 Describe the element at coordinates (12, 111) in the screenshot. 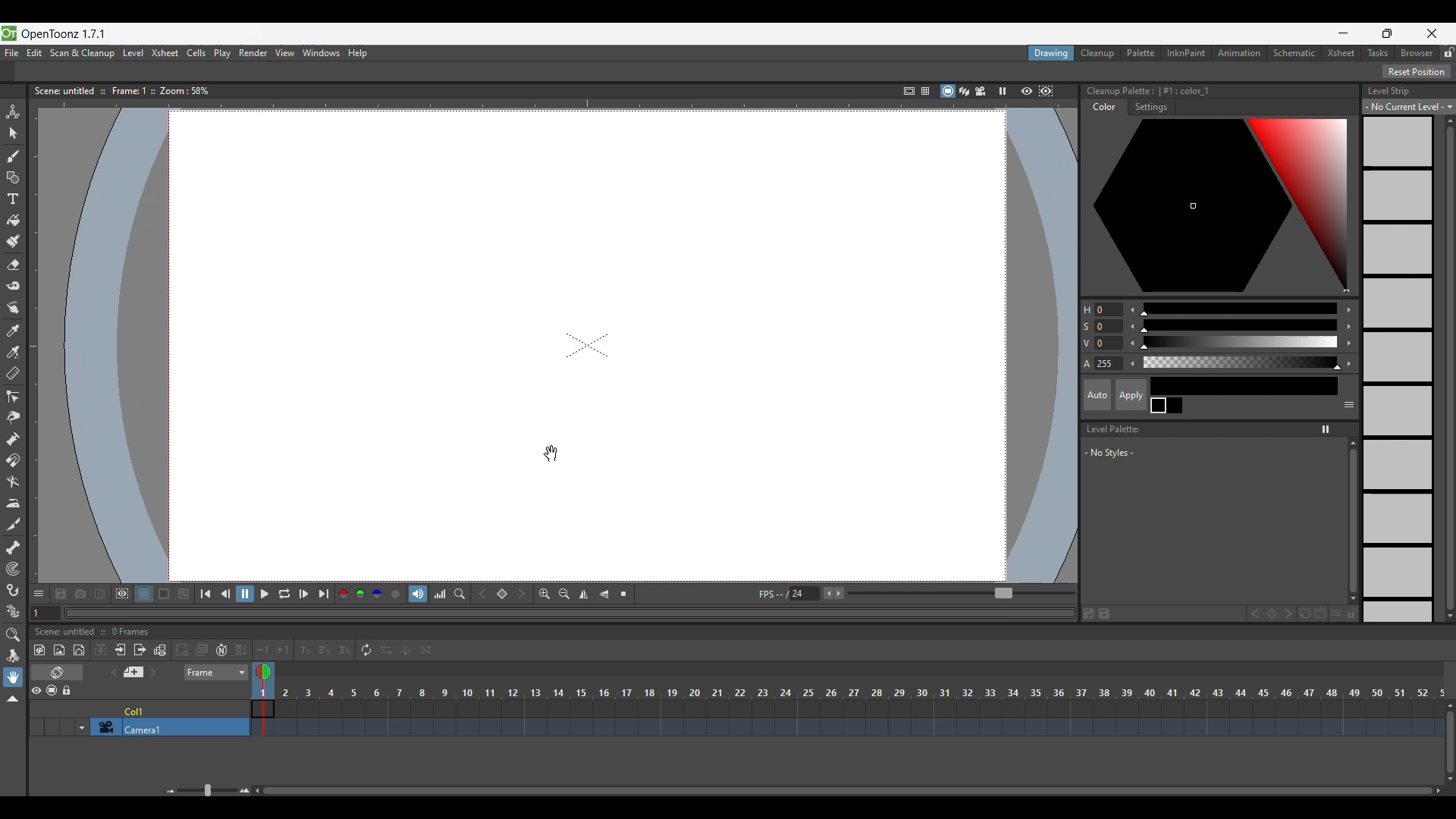

I see `Animate tool` at that location.